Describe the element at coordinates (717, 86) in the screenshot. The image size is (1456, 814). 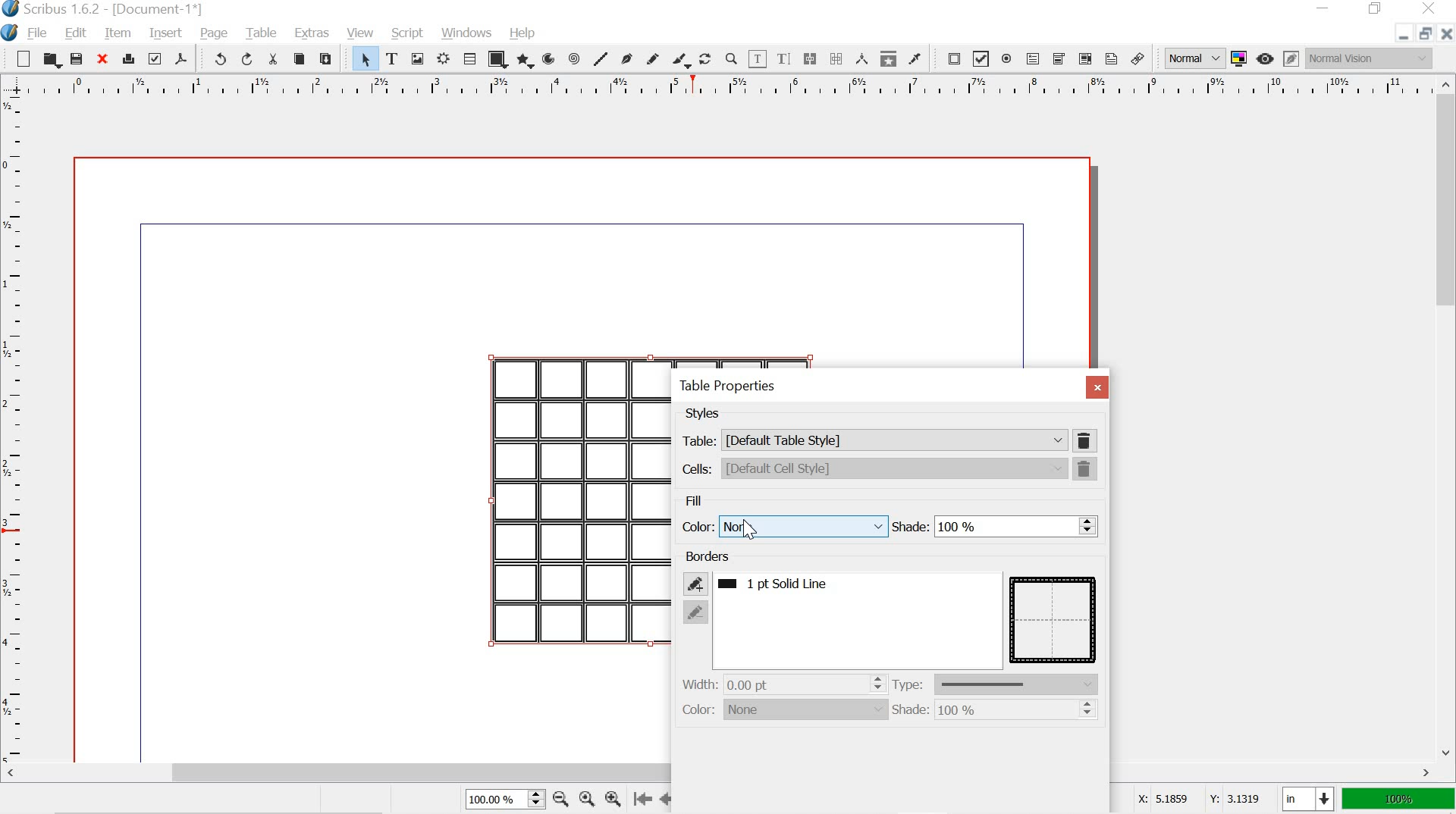
I see `ruler` at that location.